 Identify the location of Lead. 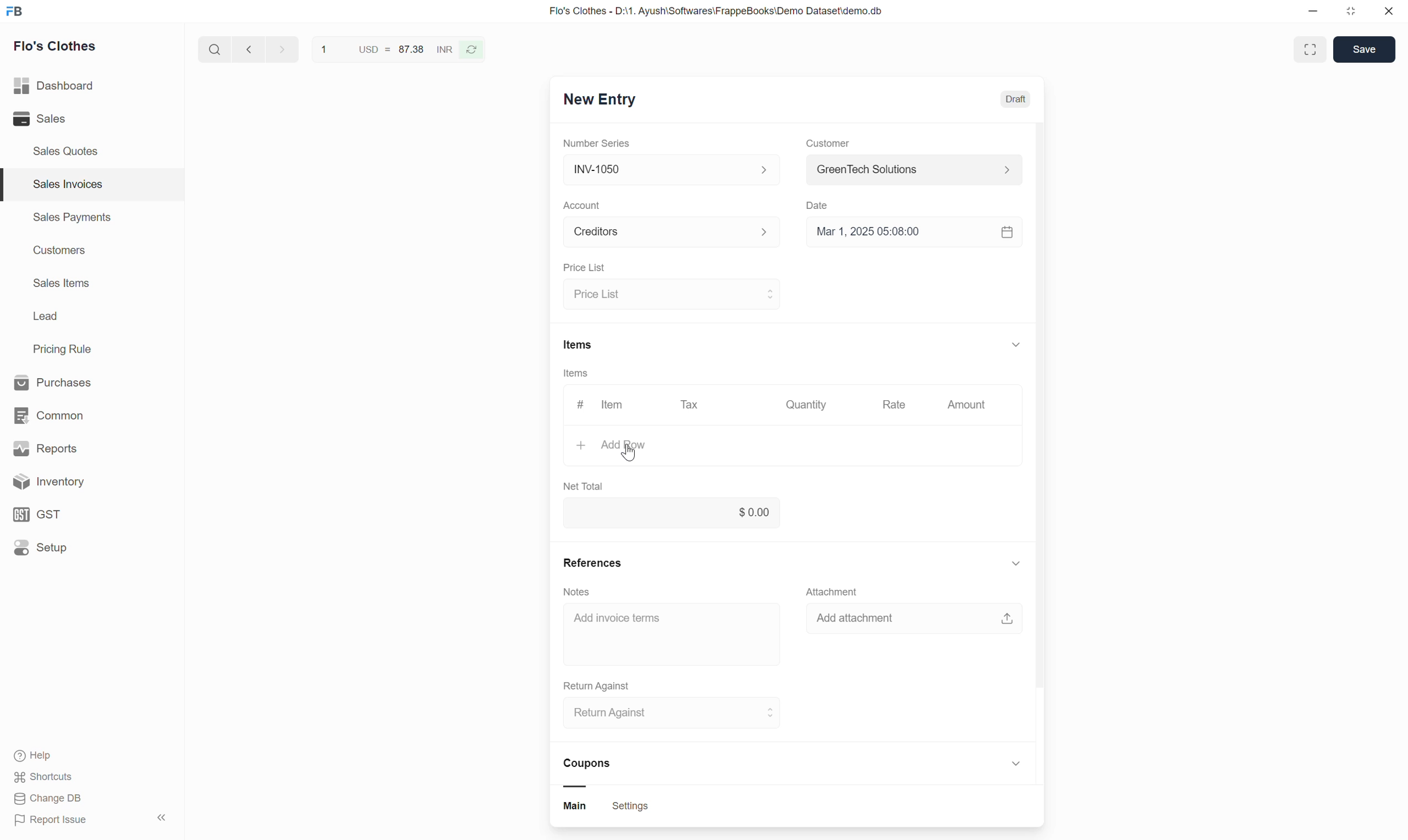
(45, 318).